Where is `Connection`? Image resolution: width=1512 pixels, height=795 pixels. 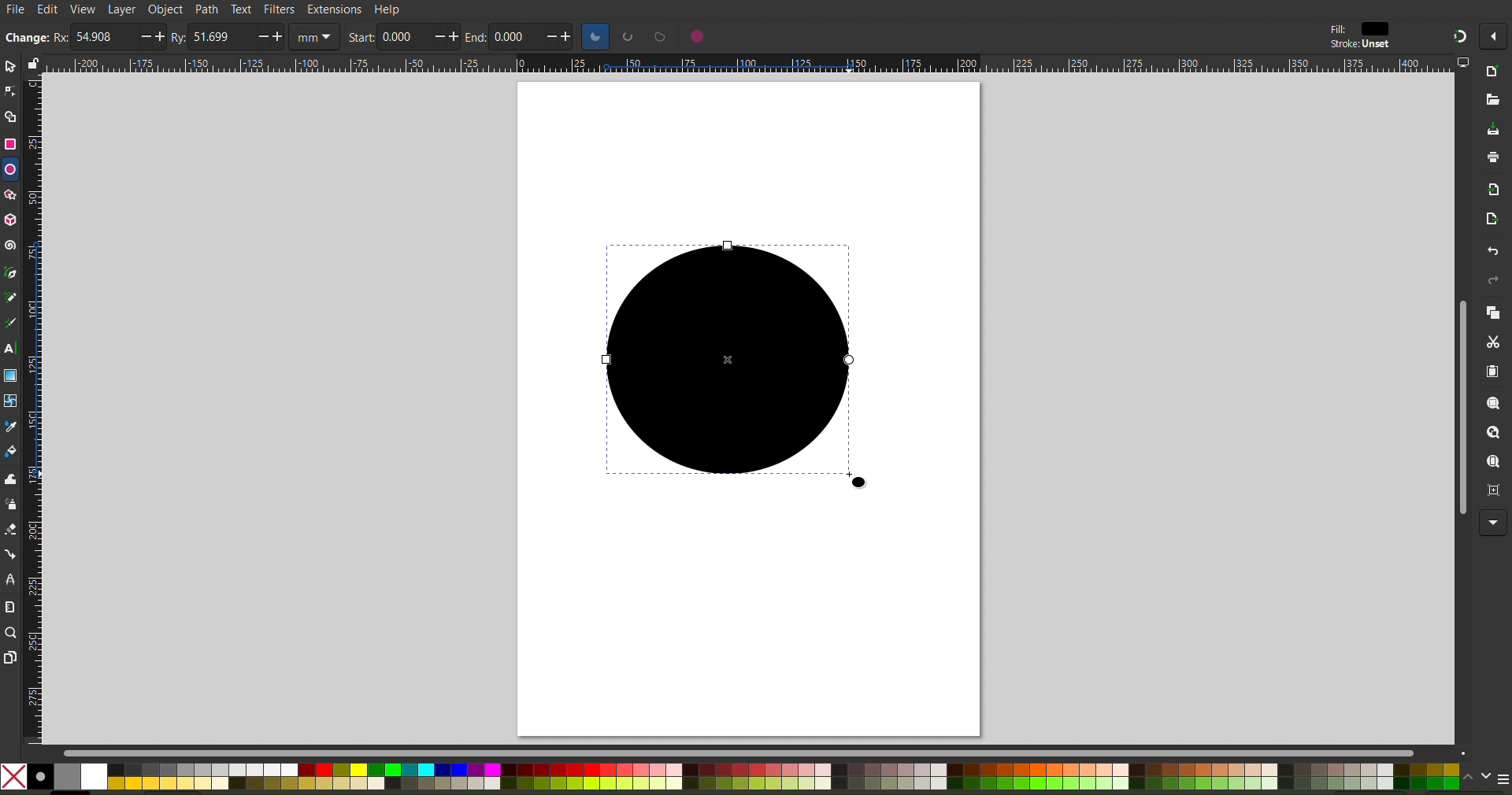 Connection is located at coordinates (10, 555).